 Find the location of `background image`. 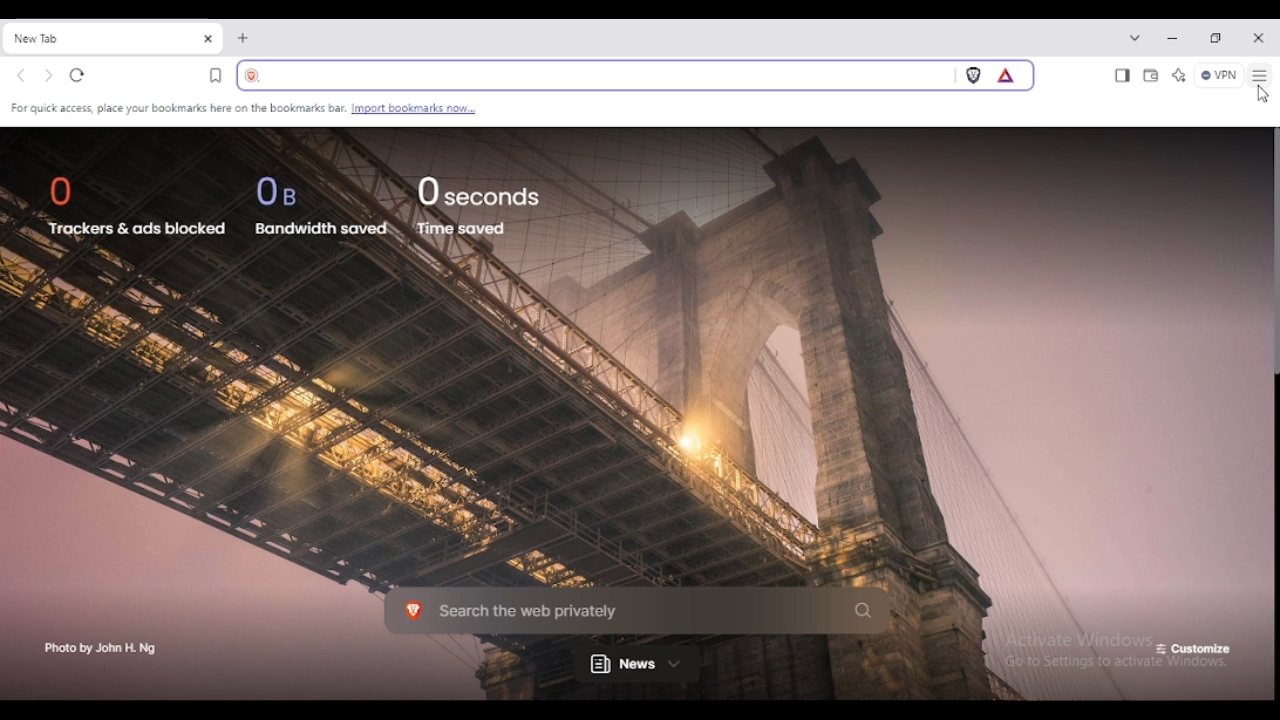

background image is located at coordinates (628, 415).